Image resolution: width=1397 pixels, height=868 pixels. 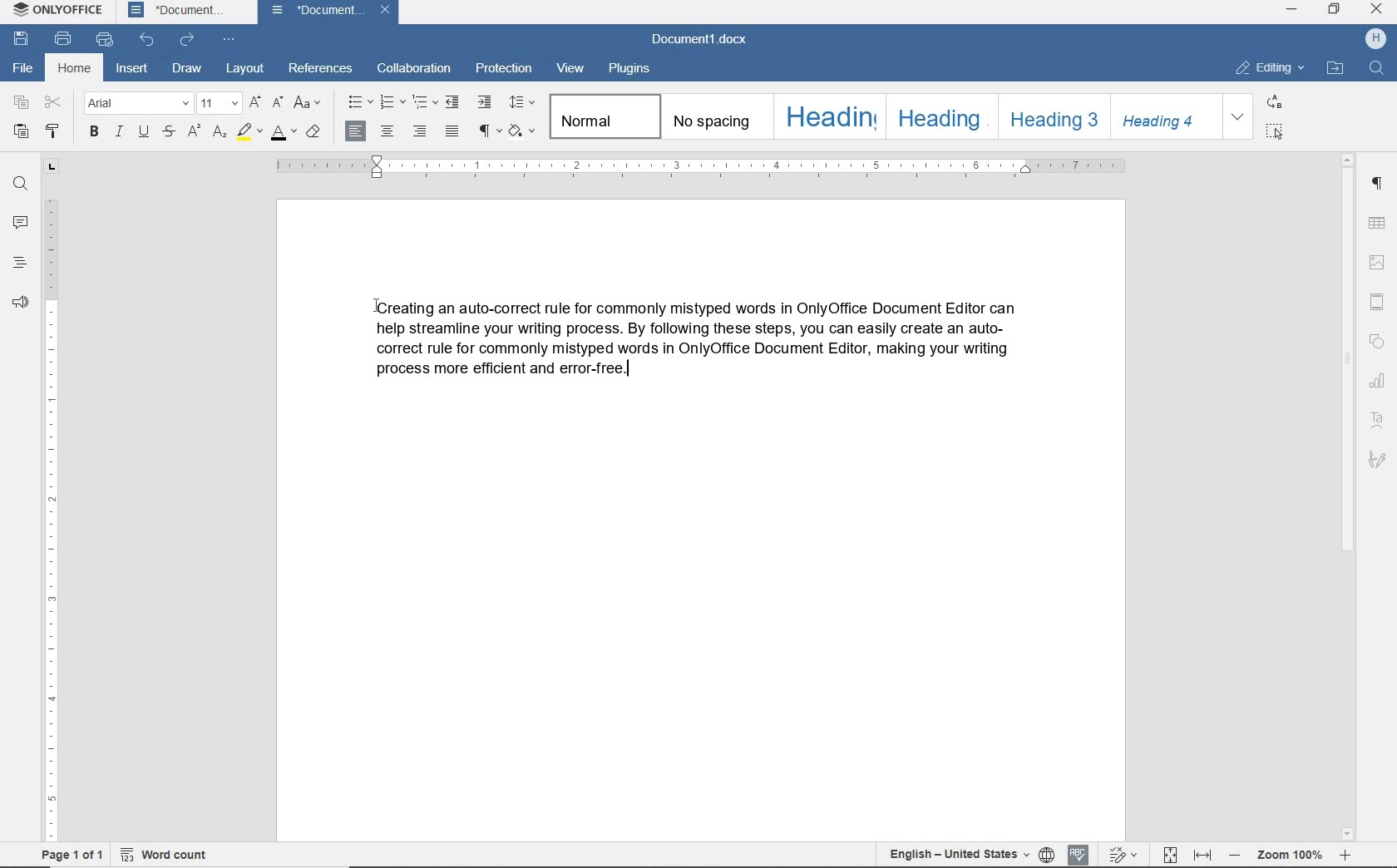 I want to click on feedback & support, so click(x=21, y=303).